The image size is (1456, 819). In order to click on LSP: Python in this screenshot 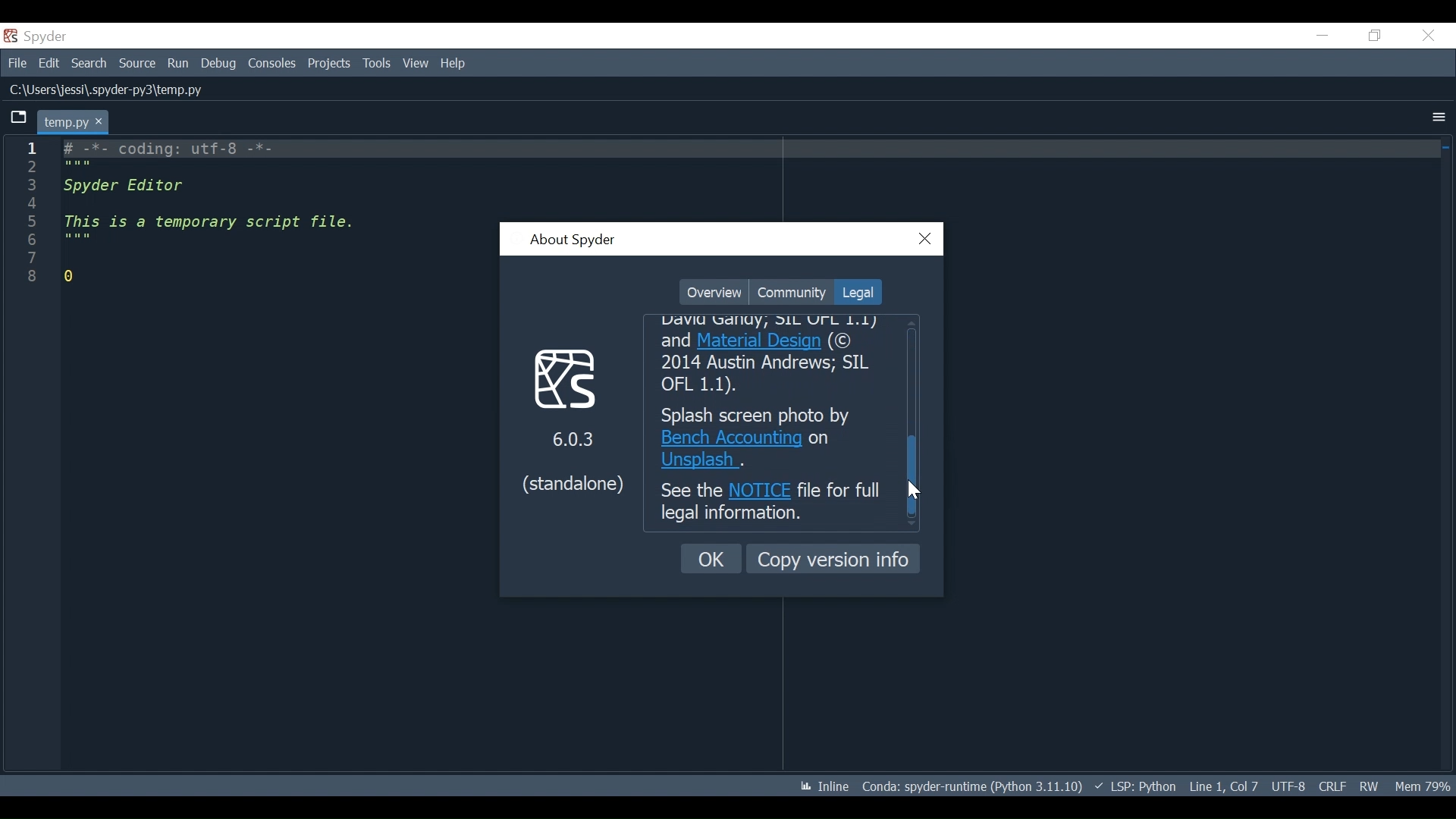, I will do `click(1135, 787)`.